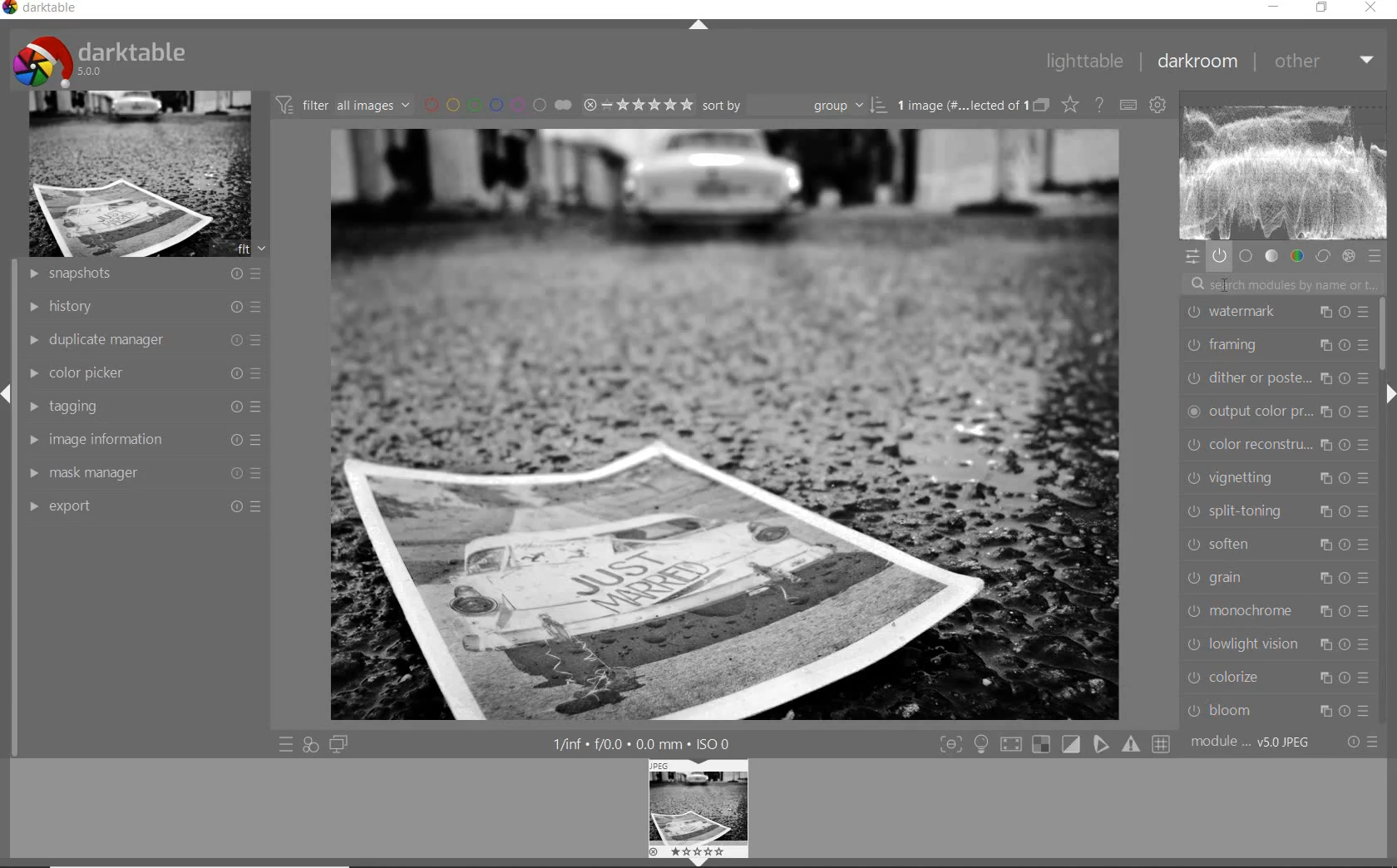  I want to click on lowlight vision, so click(1276, 644).